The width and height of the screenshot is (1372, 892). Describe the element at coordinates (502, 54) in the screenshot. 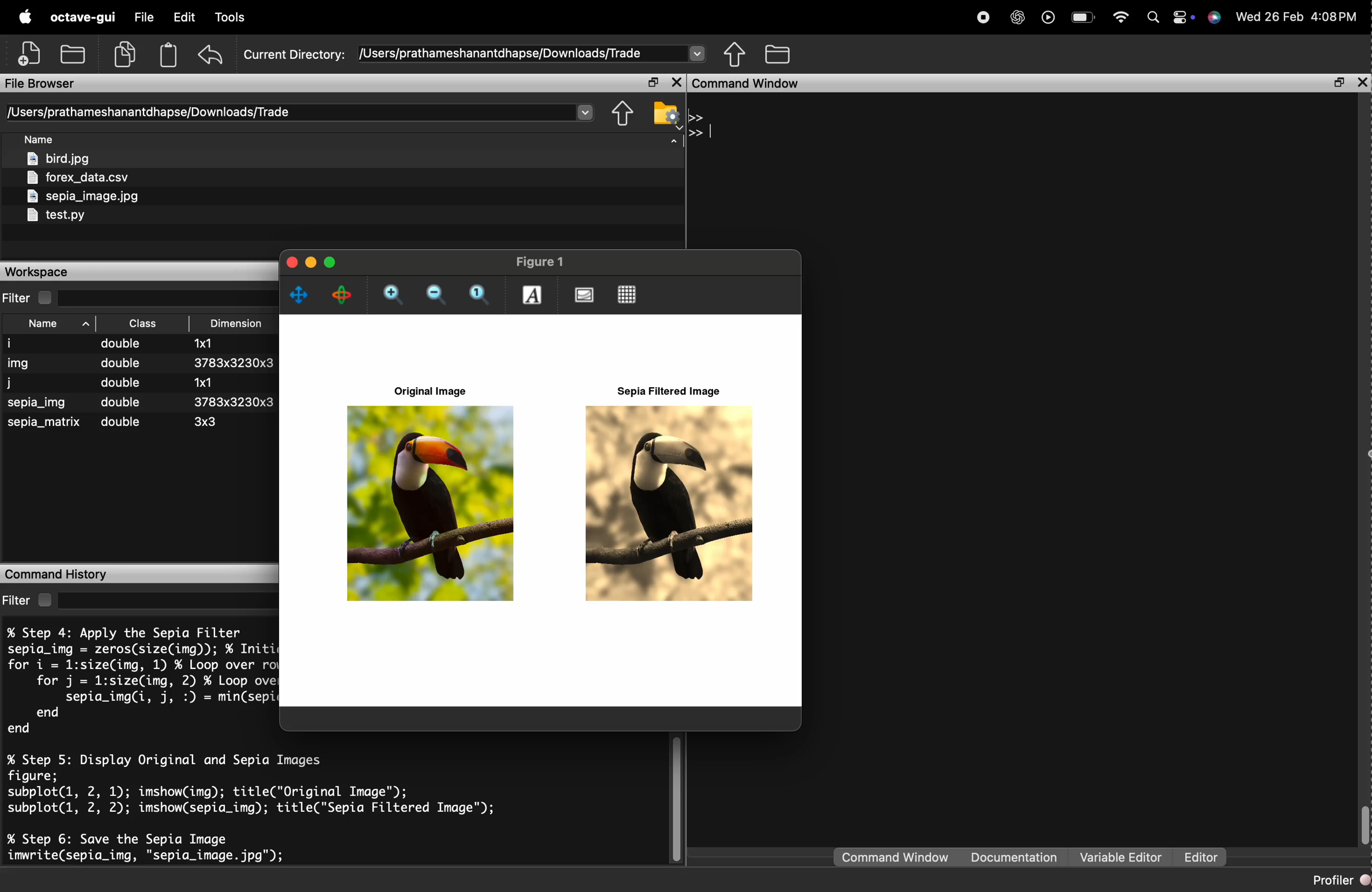

I see `/Users/prathameshanantdhapse/Downloads/Trade` at that location.